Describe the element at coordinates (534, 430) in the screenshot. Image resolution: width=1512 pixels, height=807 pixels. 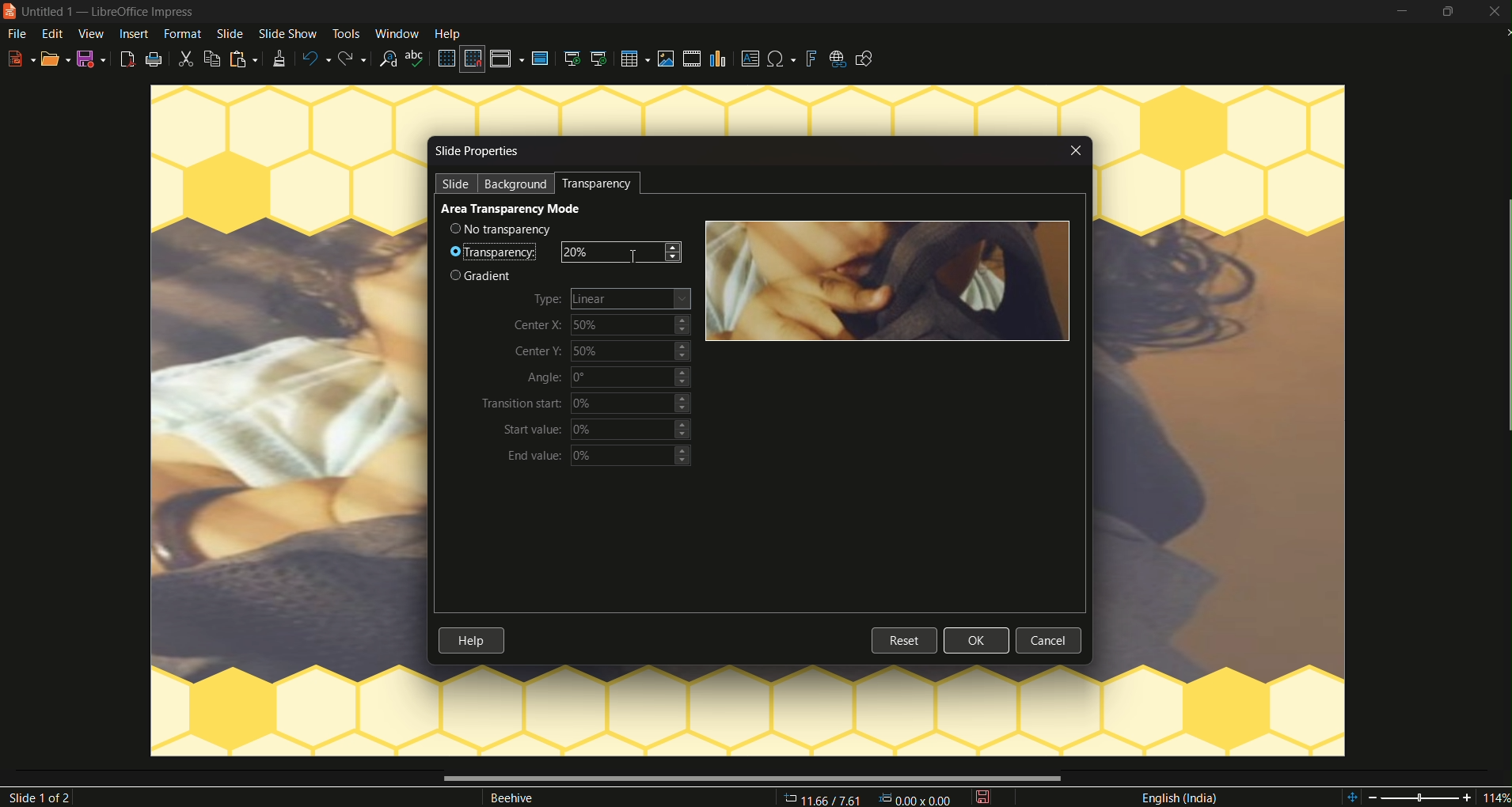
I see `start value` at that location.